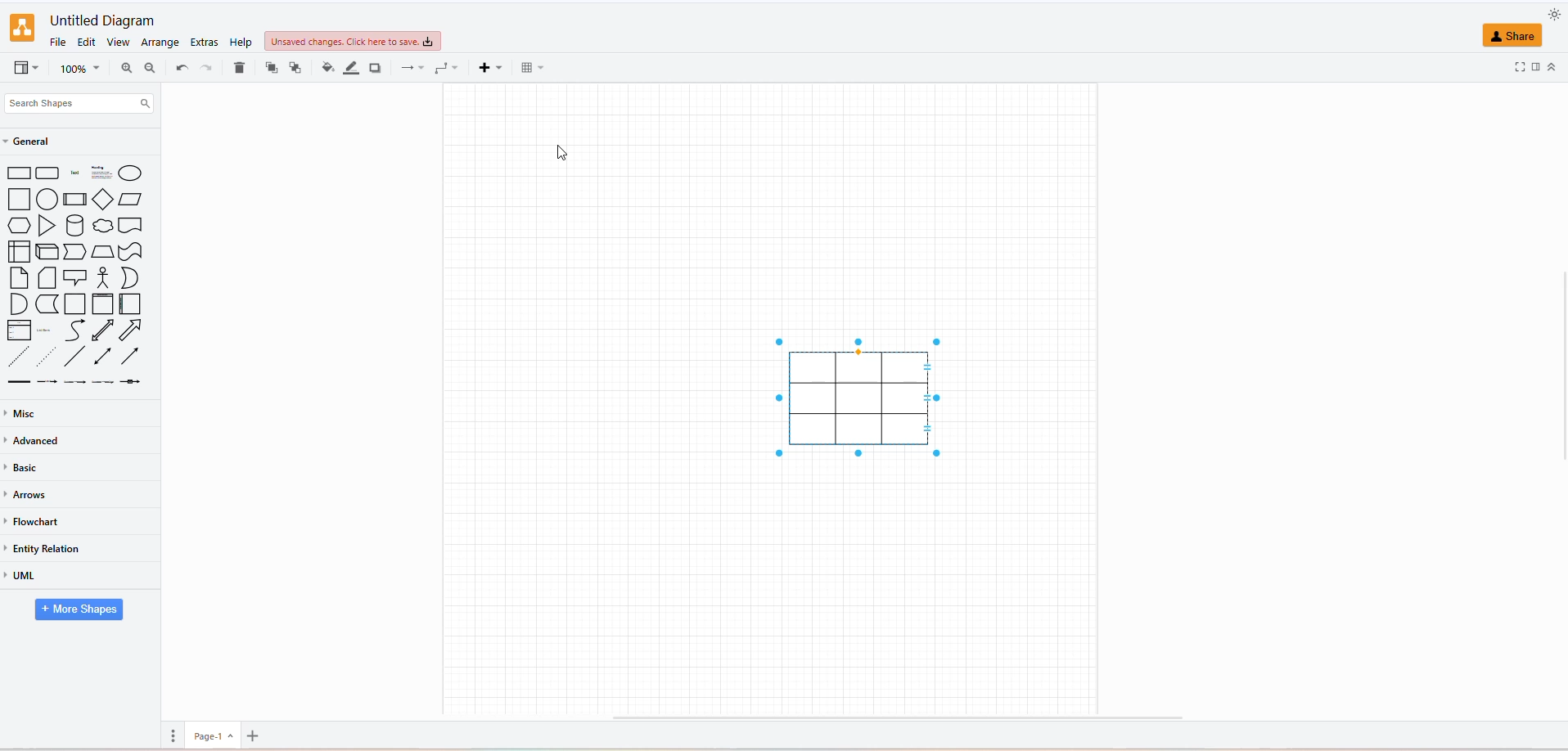 The image size is (1568, 751). Describe the element at coordinates (253, 735) in the screenshot. I see `insert page` at that location.